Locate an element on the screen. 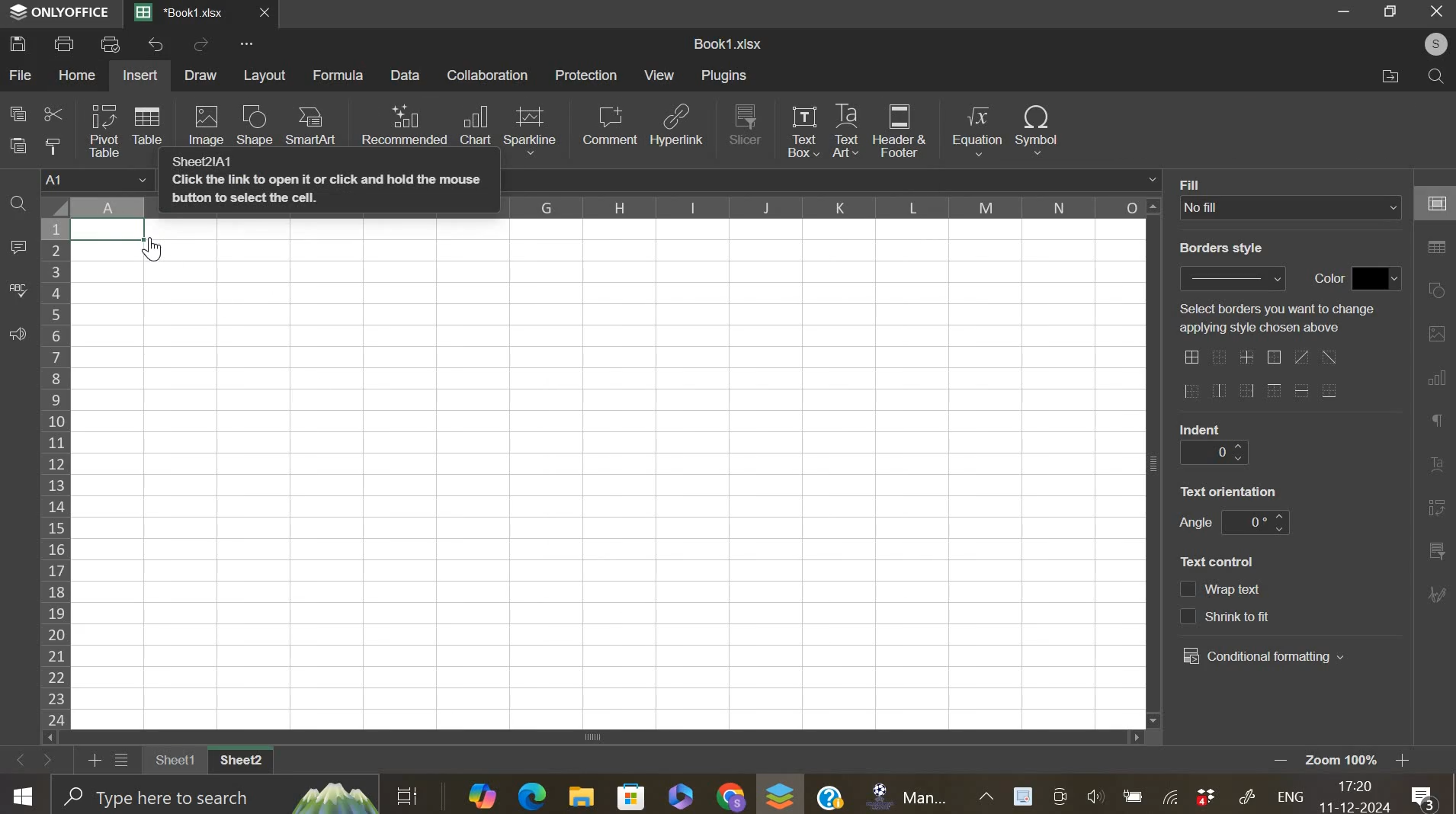 The height and width of the screenshot is (814, 1456). find is located at coordinates (18, 206).